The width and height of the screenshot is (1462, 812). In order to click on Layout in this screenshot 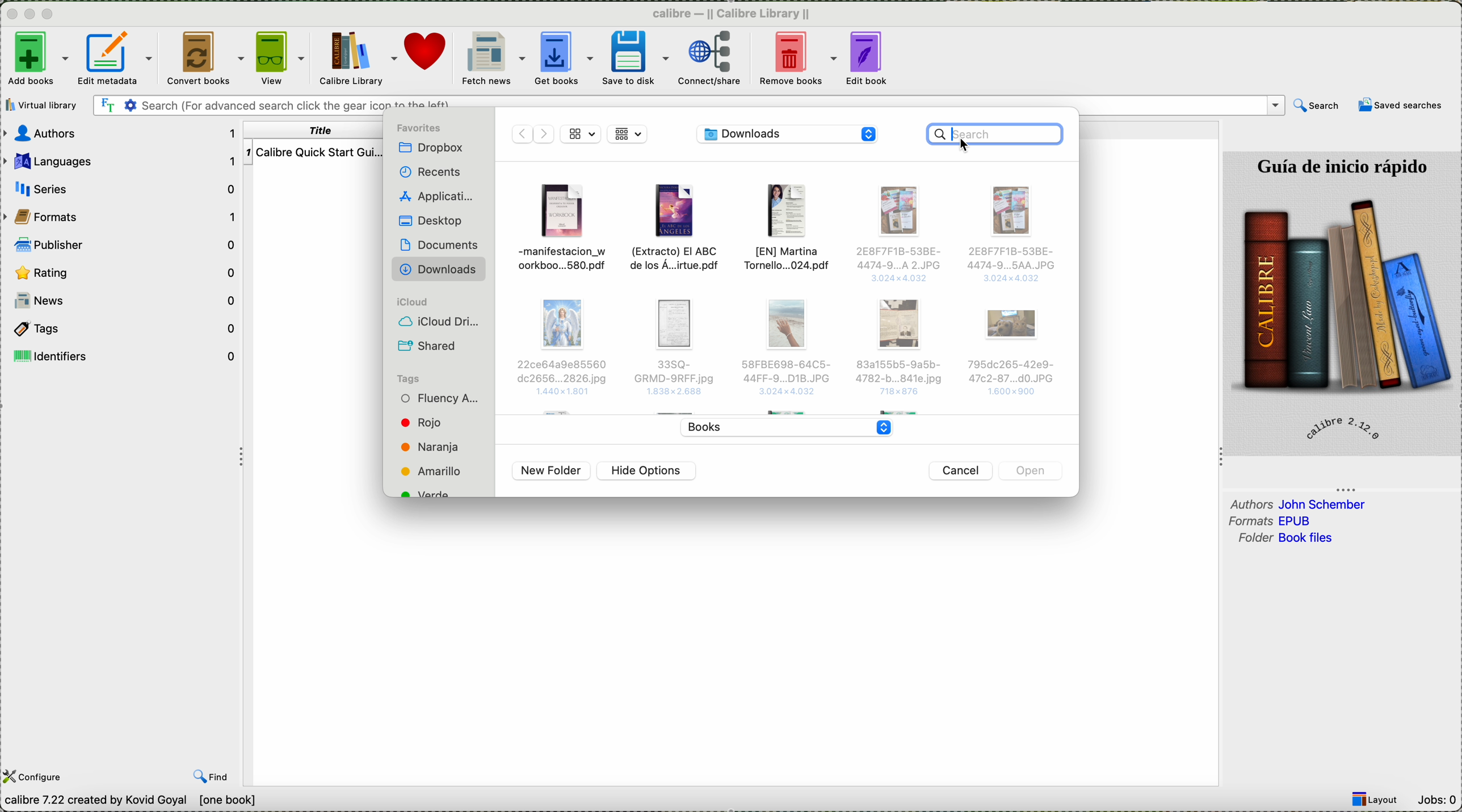, I will do `click(1376, 800)`.